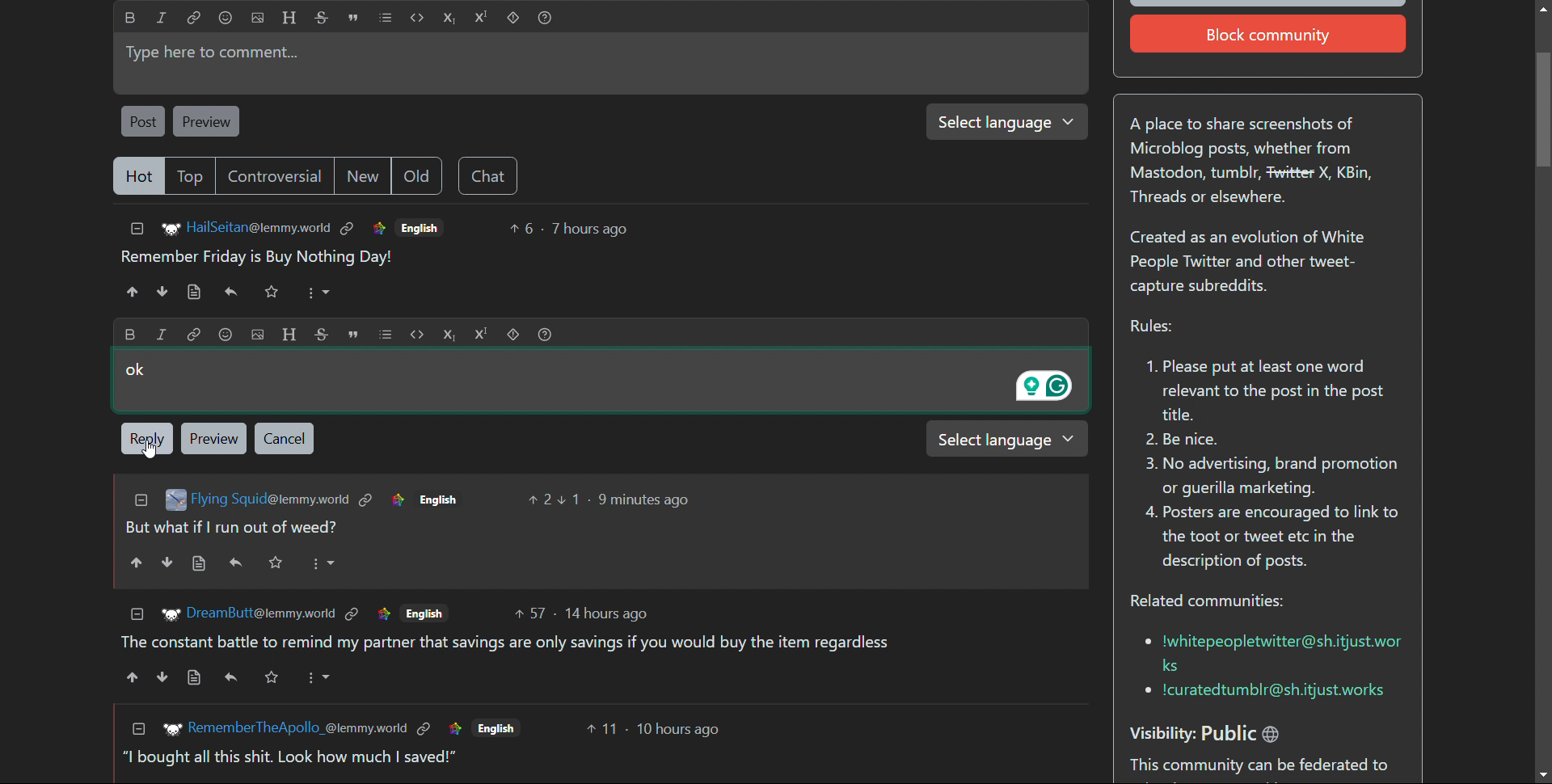  I want to click on post, so click(142, 120).